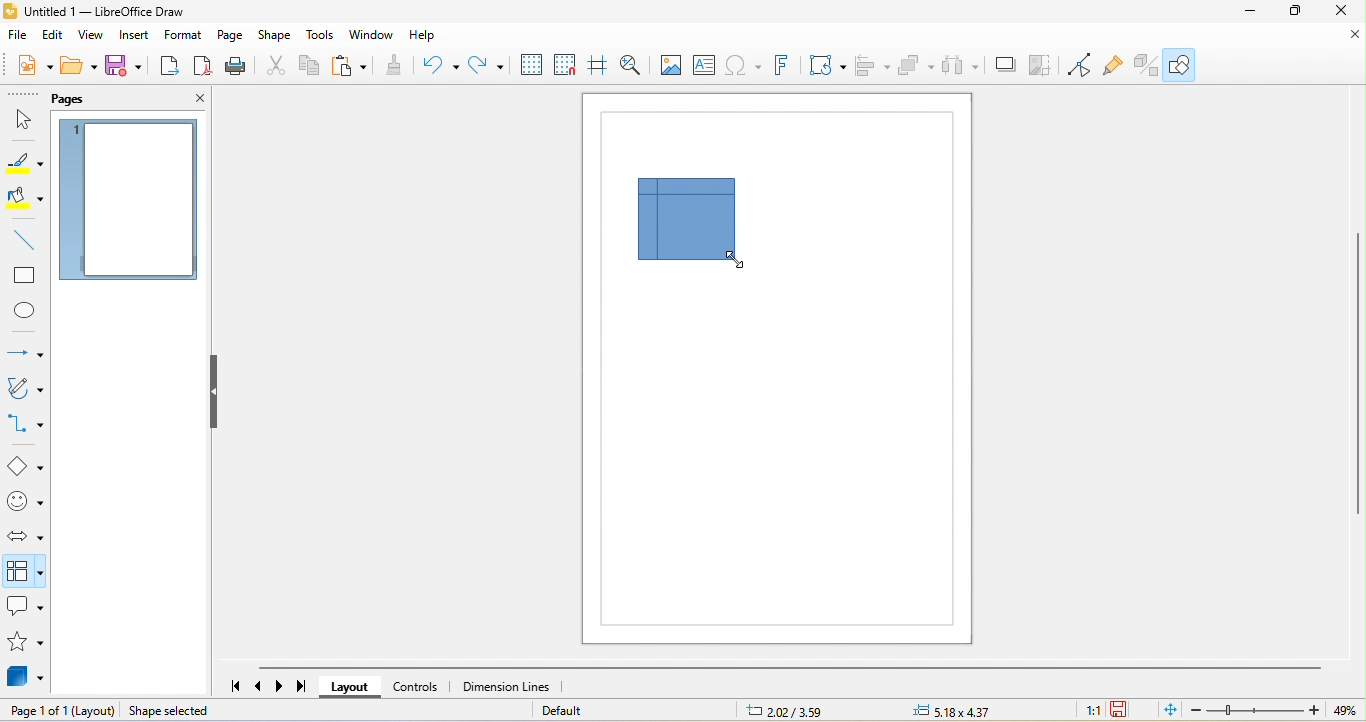 Image resolution: width=1366 pixels, height=722 pixels. I want to click on toggle point edit mode, so click(1084, 66).